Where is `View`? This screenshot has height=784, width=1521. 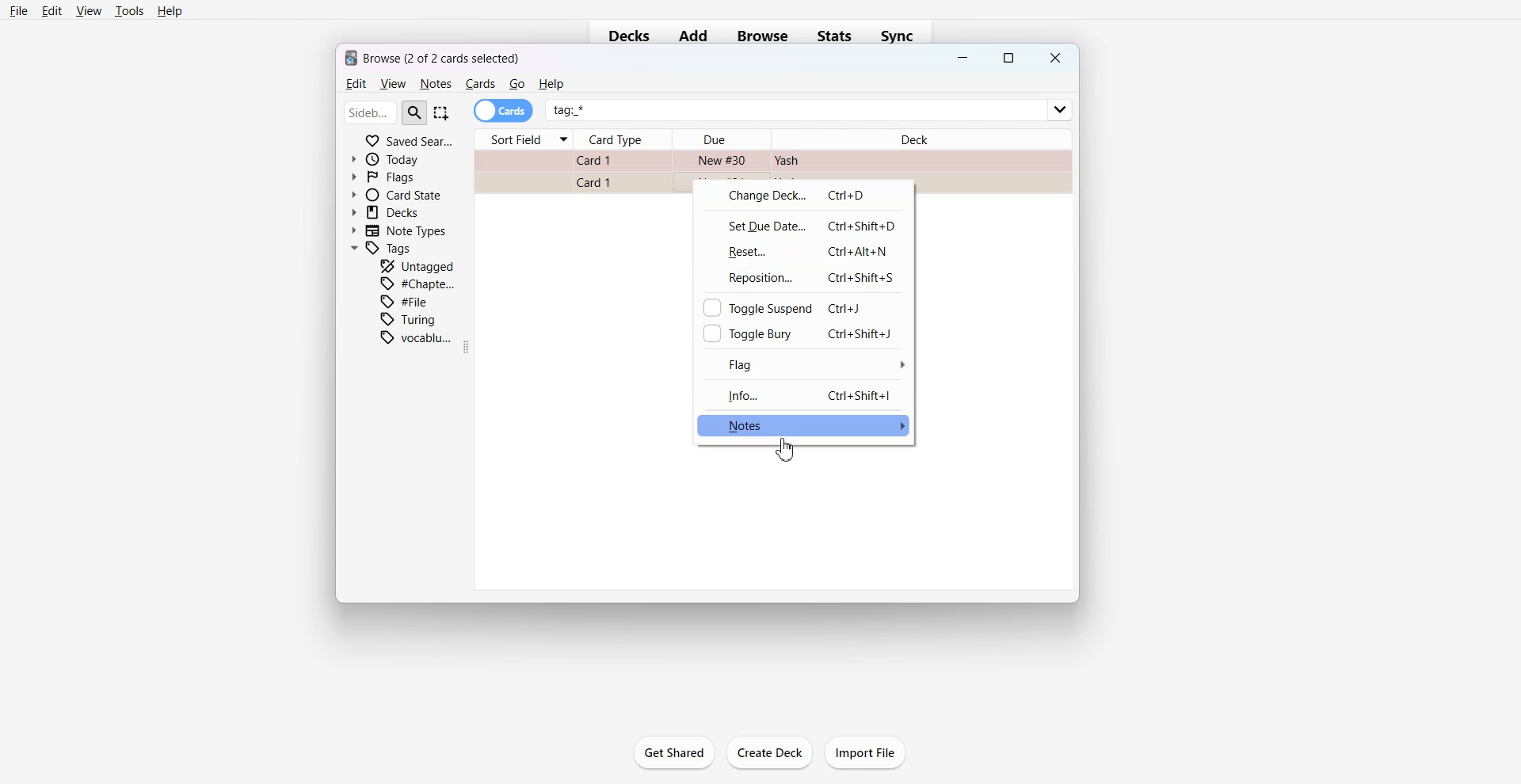 View is located at coordinates (88, 10).